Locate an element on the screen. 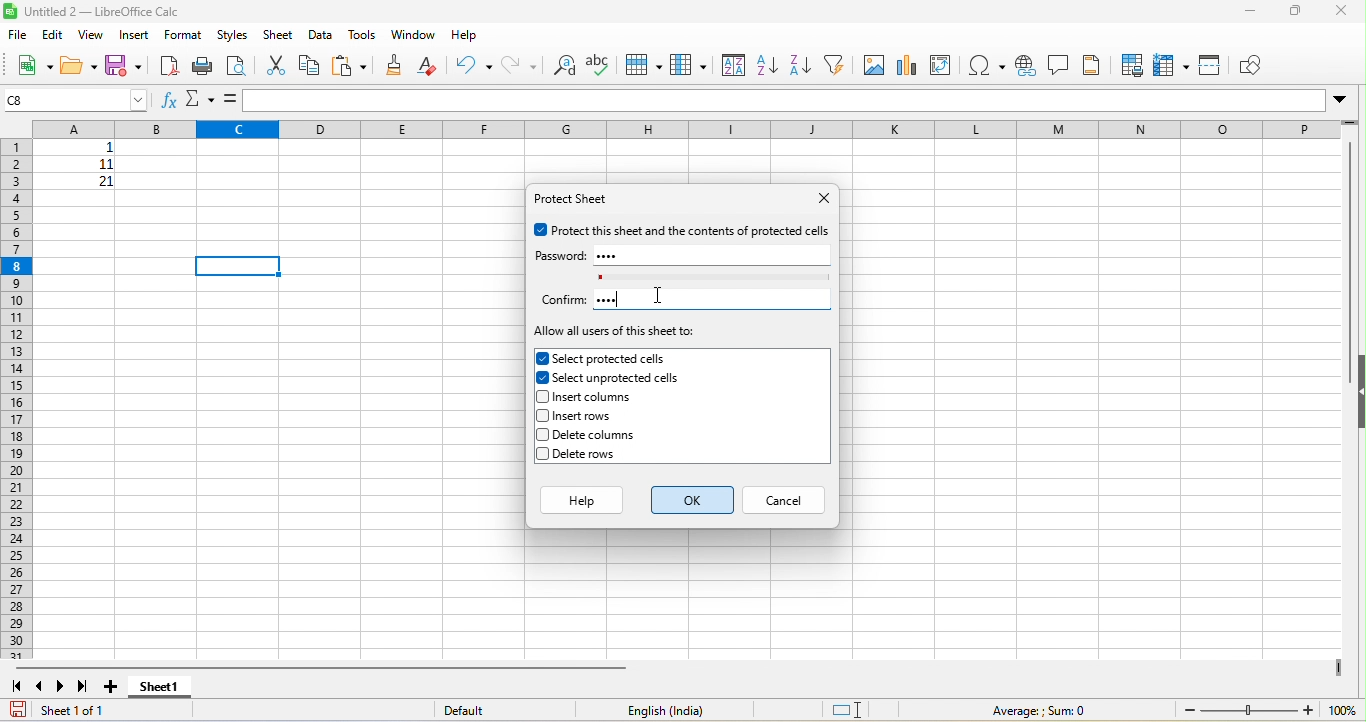  print preview is located at coordinates (236, 65).